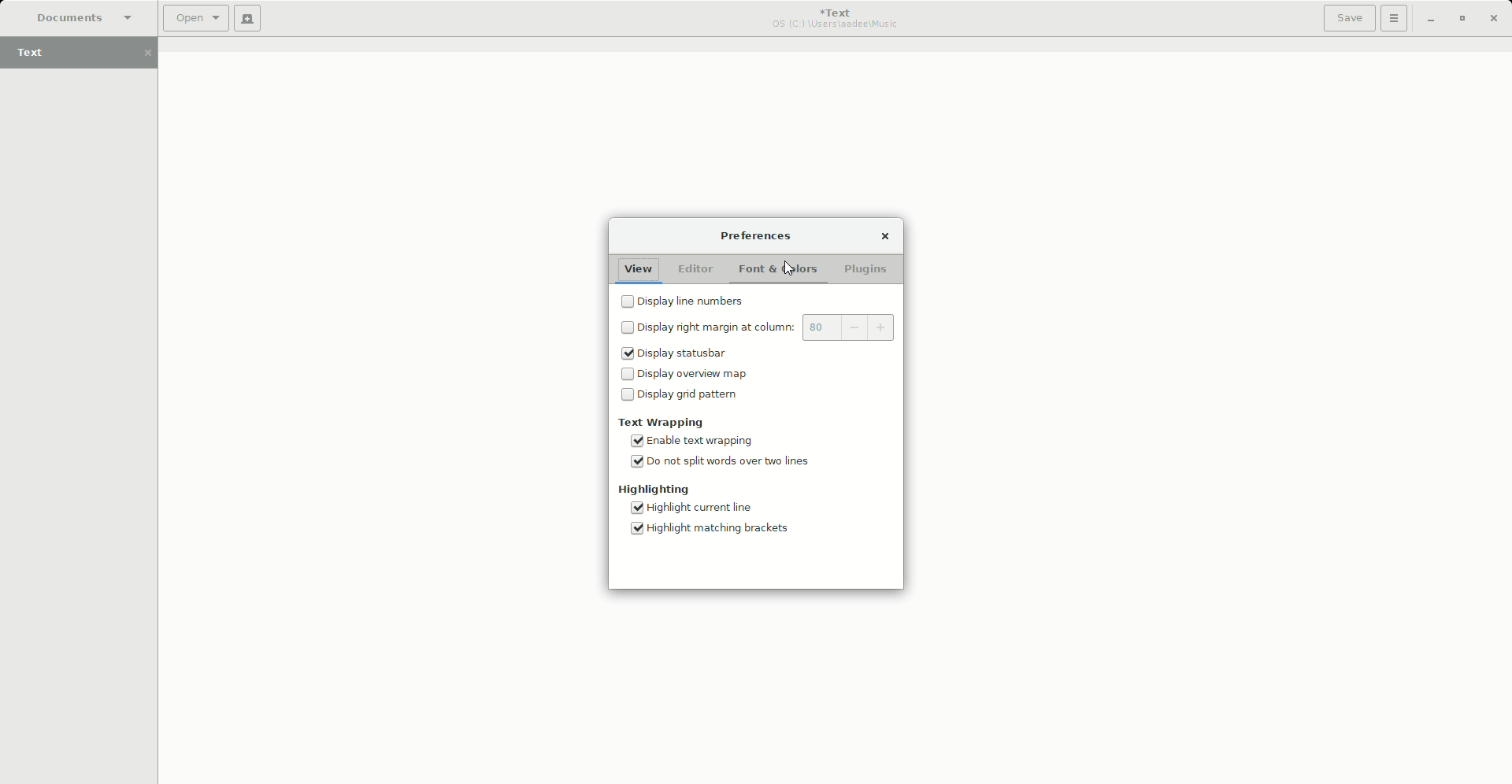  Describe the element at coordinates (685, 395) in the screenshot. I see `Display grid pattern` at that location.